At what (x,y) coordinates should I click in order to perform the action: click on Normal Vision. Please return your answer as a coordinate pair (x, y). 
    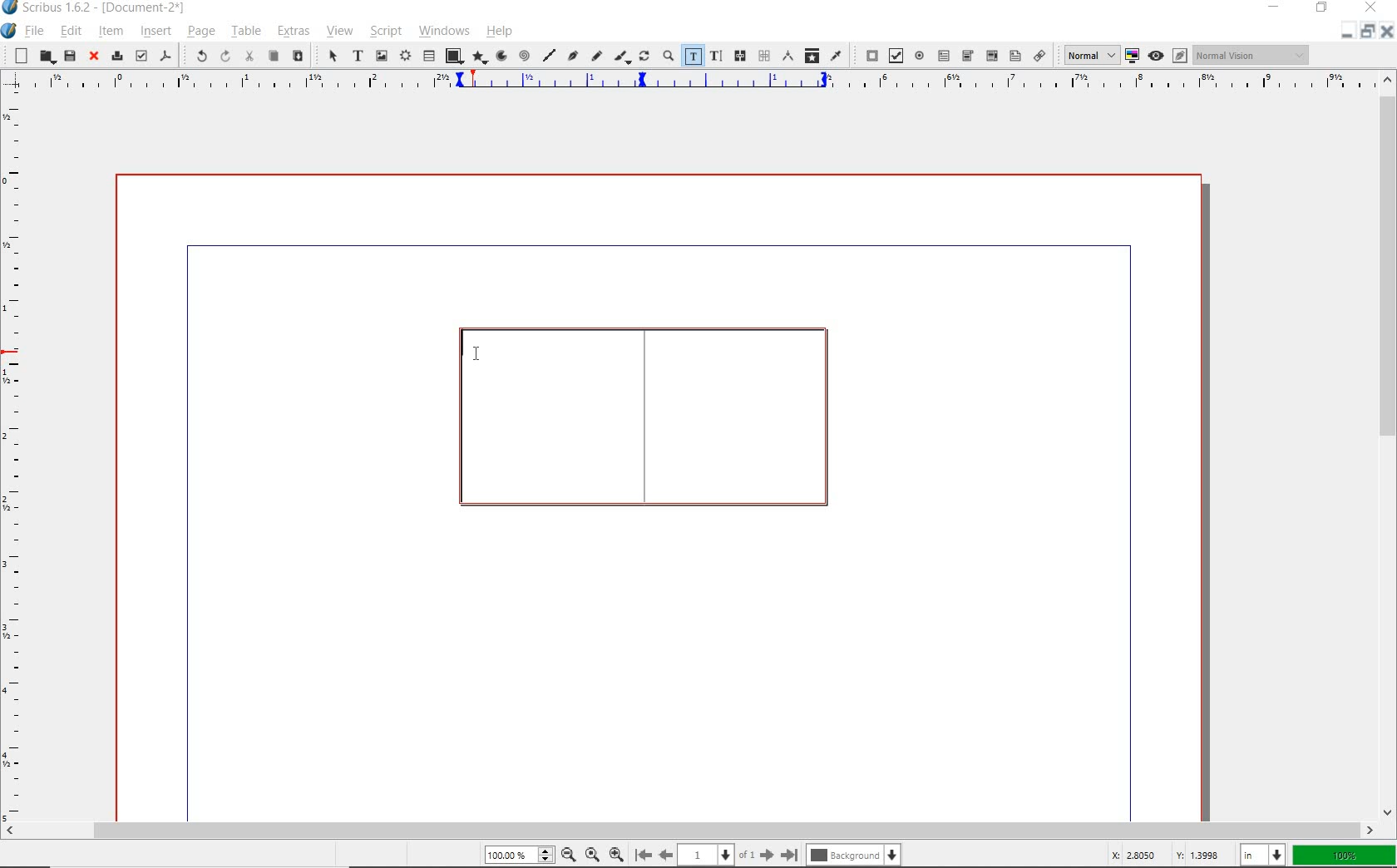
    Looking at the image, I should click on (1250, 56).